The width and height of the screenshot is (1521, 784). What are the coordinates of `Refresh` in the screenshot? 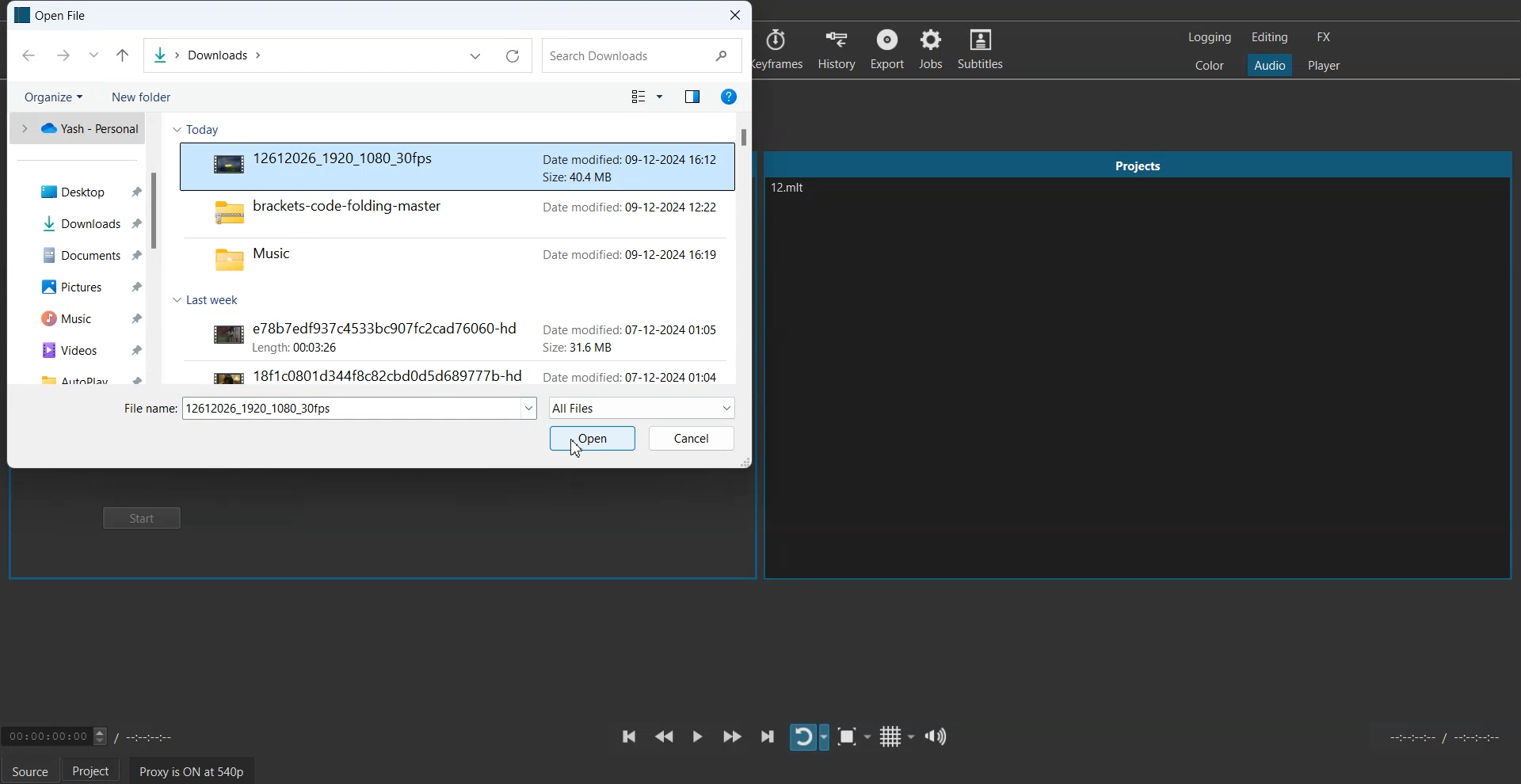 It's located at (513, 57).